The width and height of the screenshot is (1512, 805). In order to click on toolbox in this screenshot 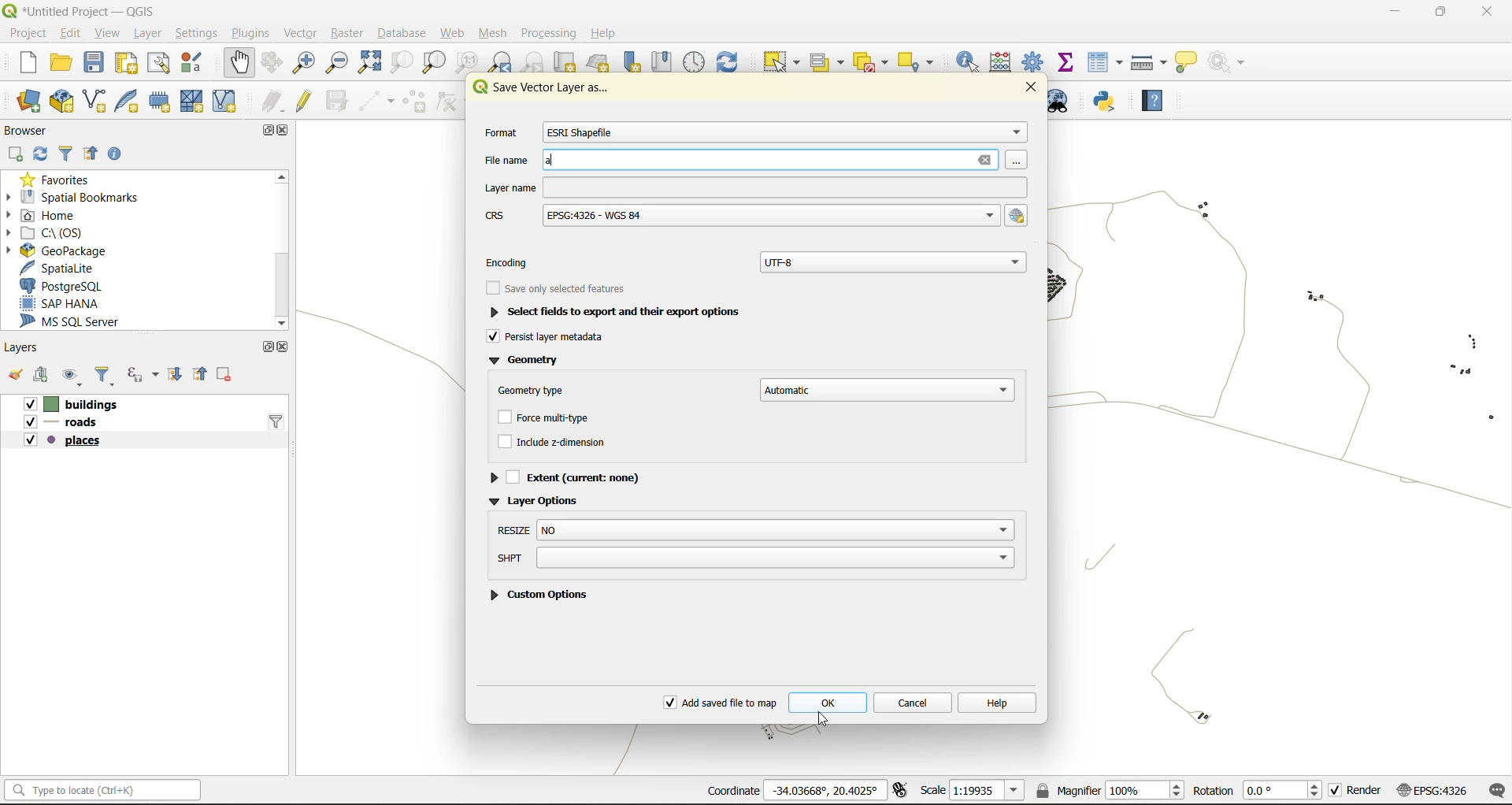, I will do `click(1035, 61)`.